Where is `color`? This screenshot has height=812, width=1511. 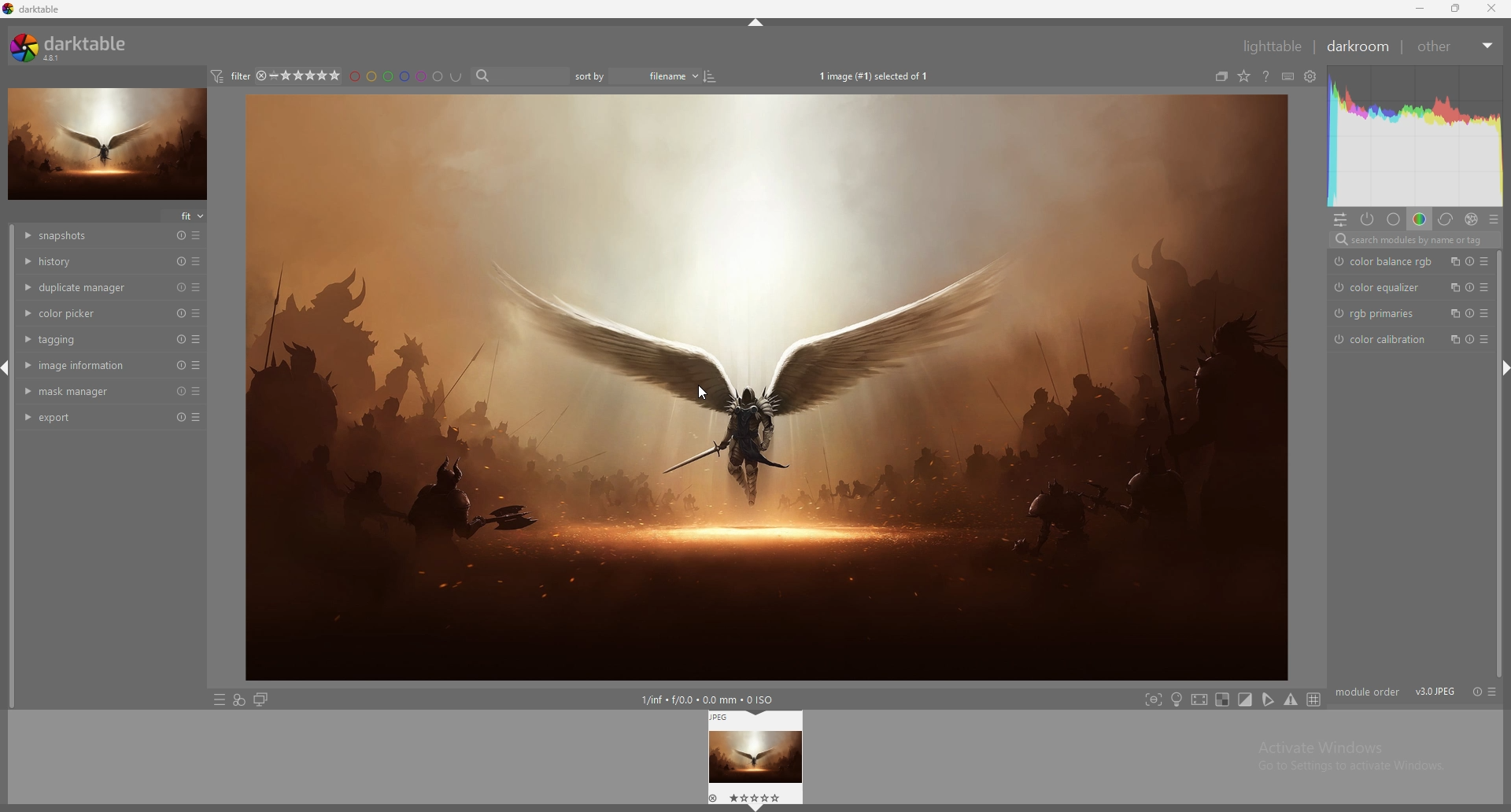 color is located at coordinates (1419, 220).